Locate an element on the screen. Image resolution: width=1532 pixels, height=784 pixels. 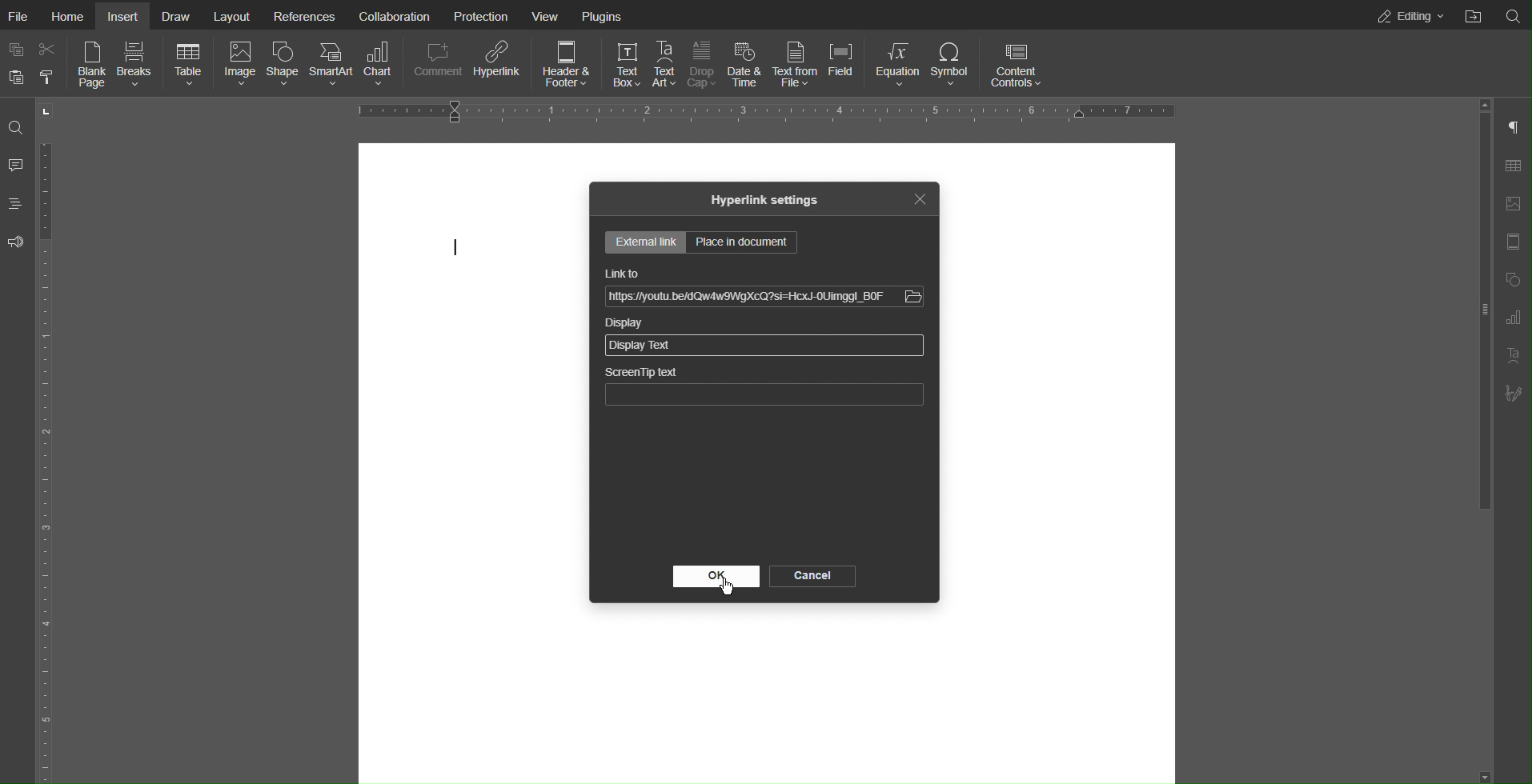
Display is located at coordinates (626, 324).